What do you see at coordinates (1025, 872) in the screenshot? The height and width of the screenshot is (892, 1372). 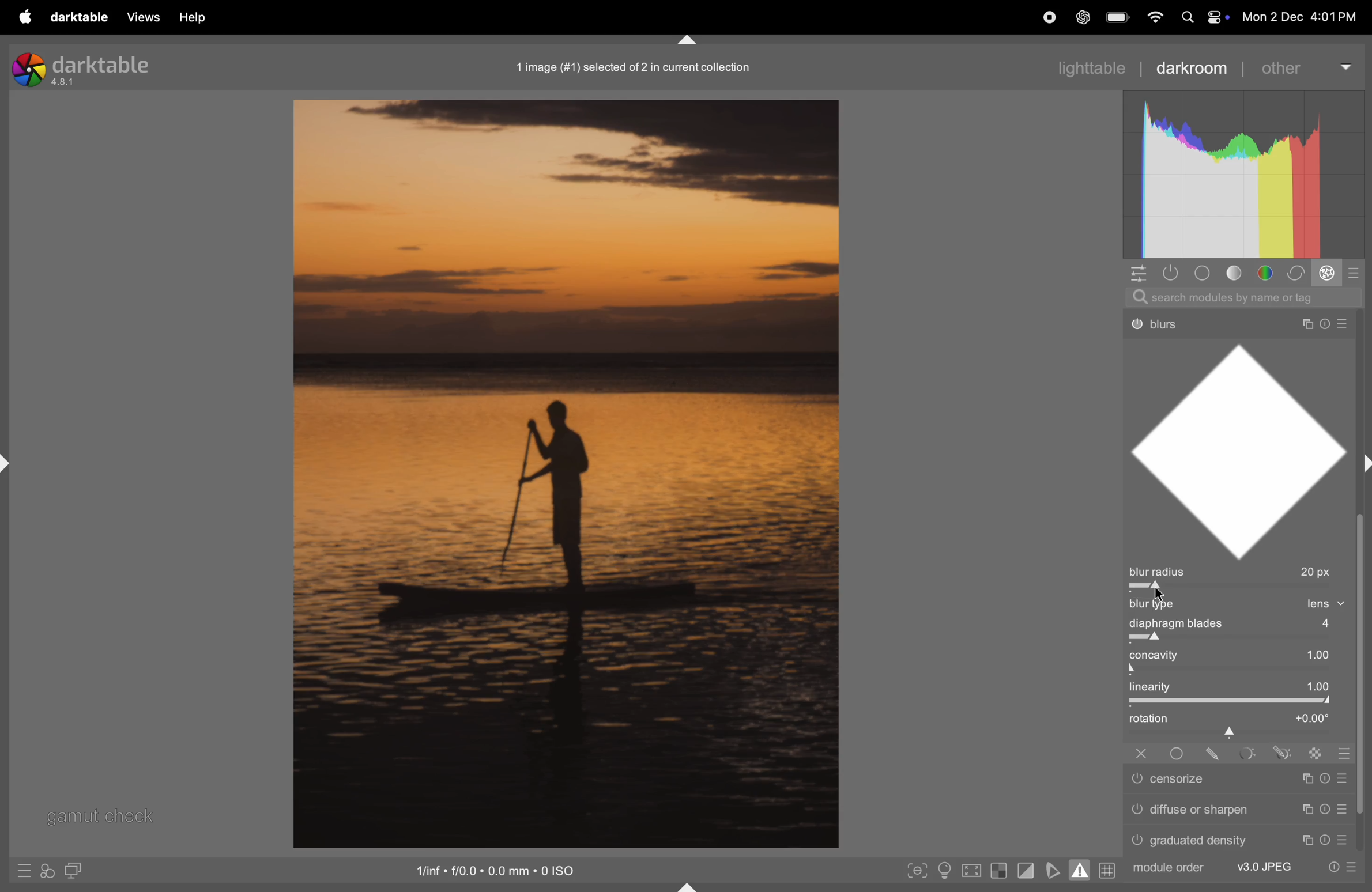 I see `toggle clipping indication` at bounding box center [1025, 872].